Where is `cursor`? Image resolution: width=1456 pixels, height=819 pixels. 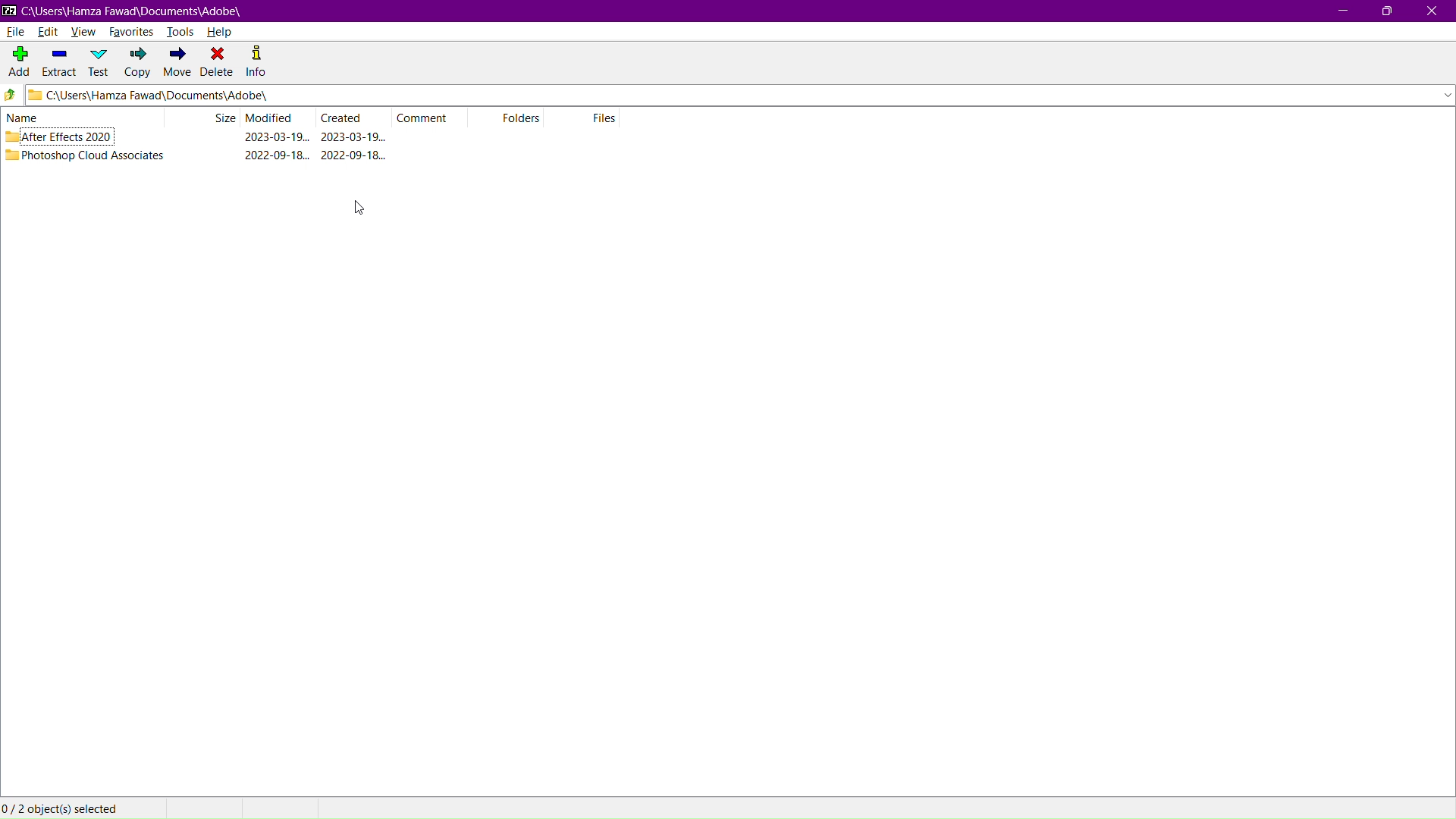 cursor is located at coordinates (359, 207).